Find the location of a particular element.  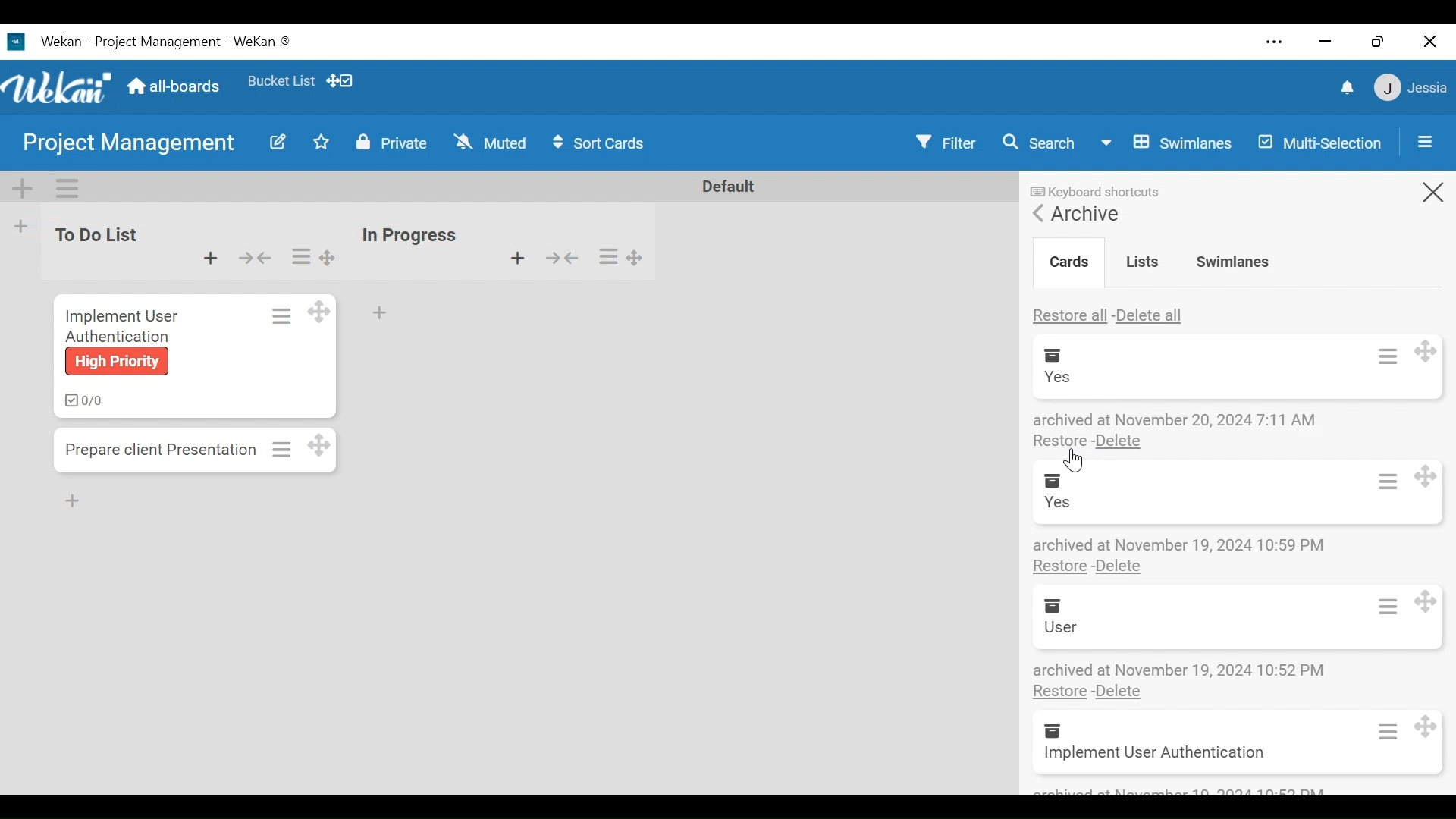

Implement user authentication is located at coordinates (1153, 755).